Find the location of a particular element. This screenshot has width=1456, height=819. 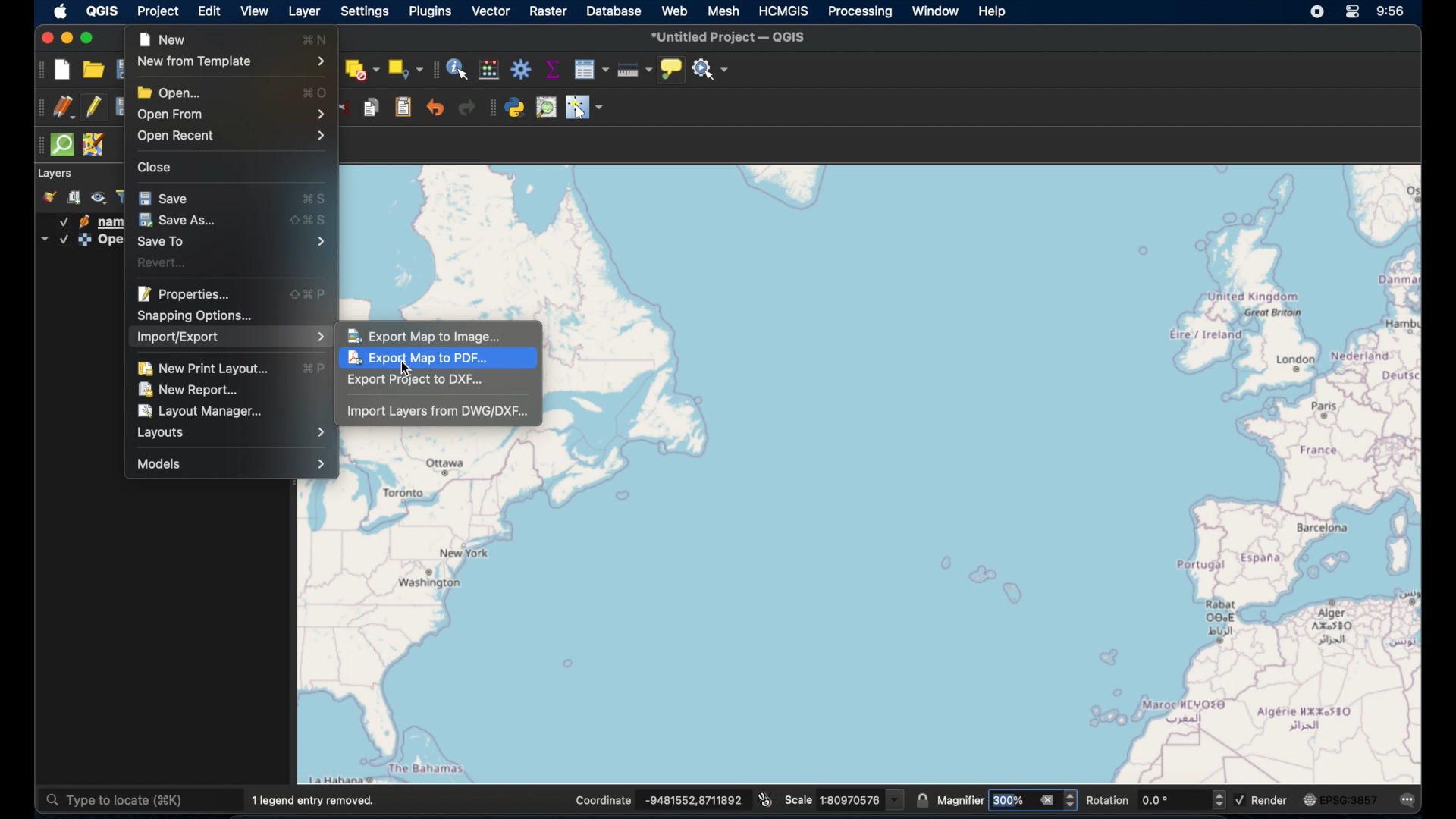

layer is located at coordinates (56, 174).